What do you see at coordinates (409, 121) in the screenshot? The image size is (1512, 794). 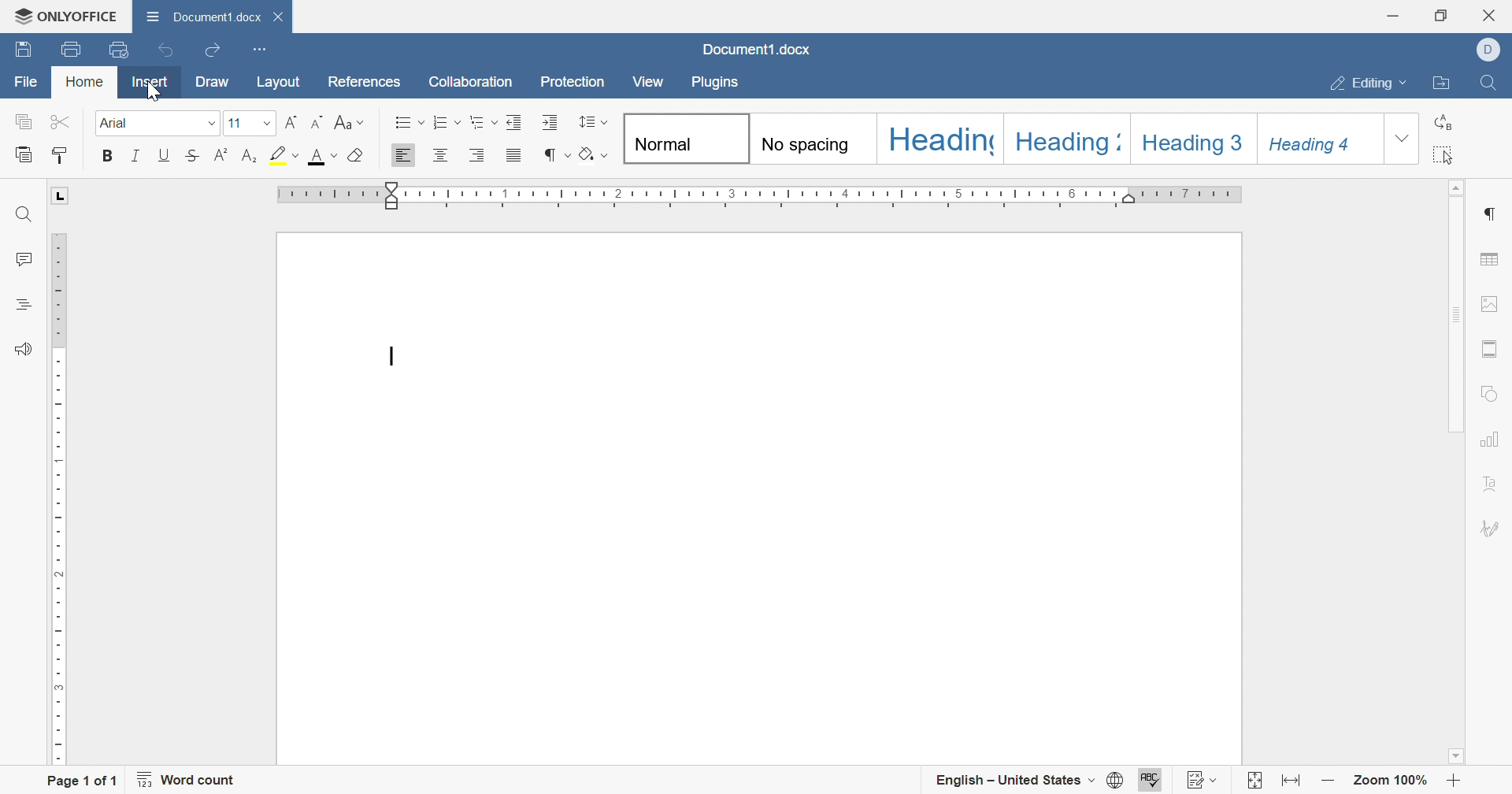 I see `Bullets` at bounding box center [409, 121].